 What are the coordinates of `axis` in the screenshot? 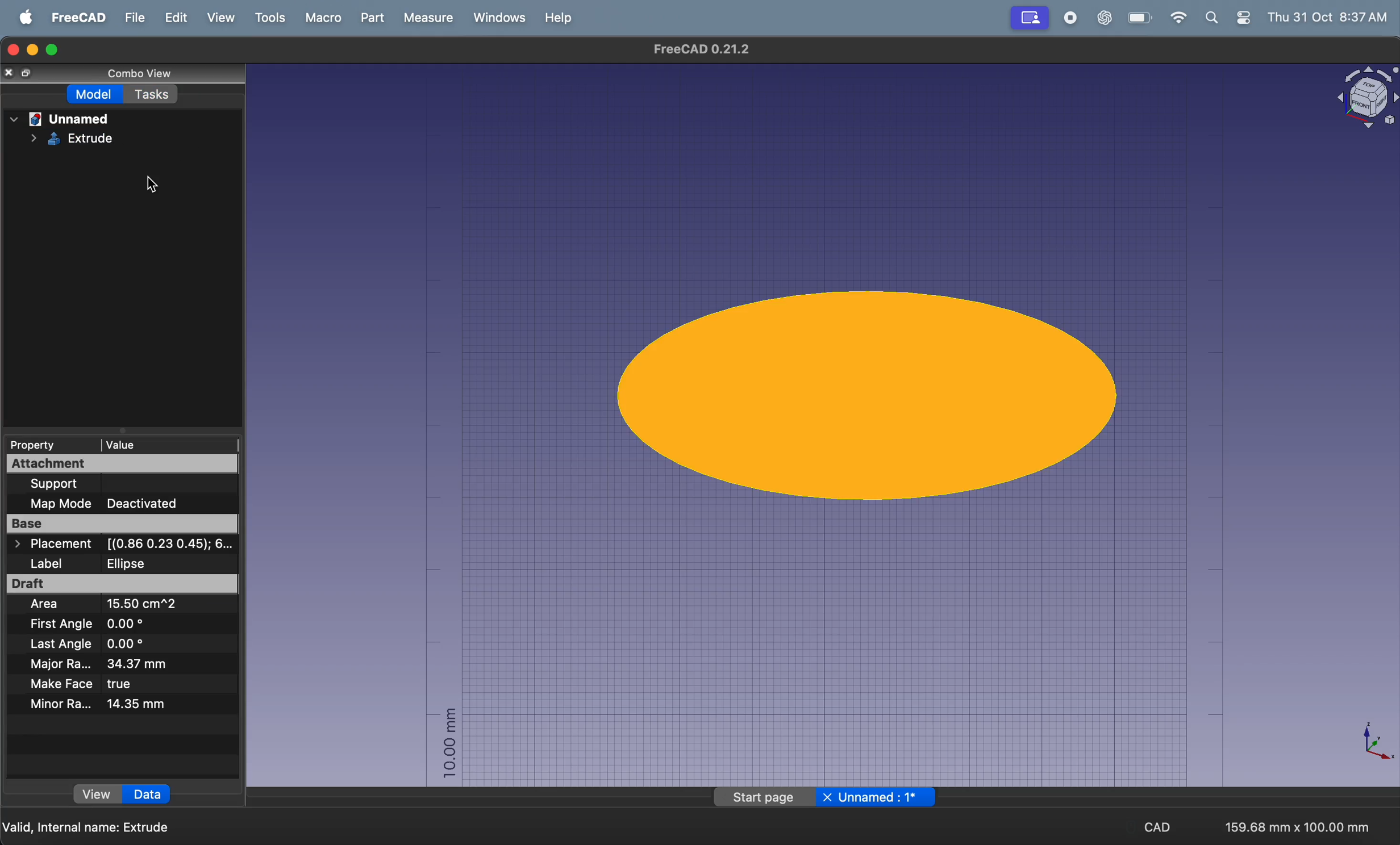 It's located at (1372, 743).